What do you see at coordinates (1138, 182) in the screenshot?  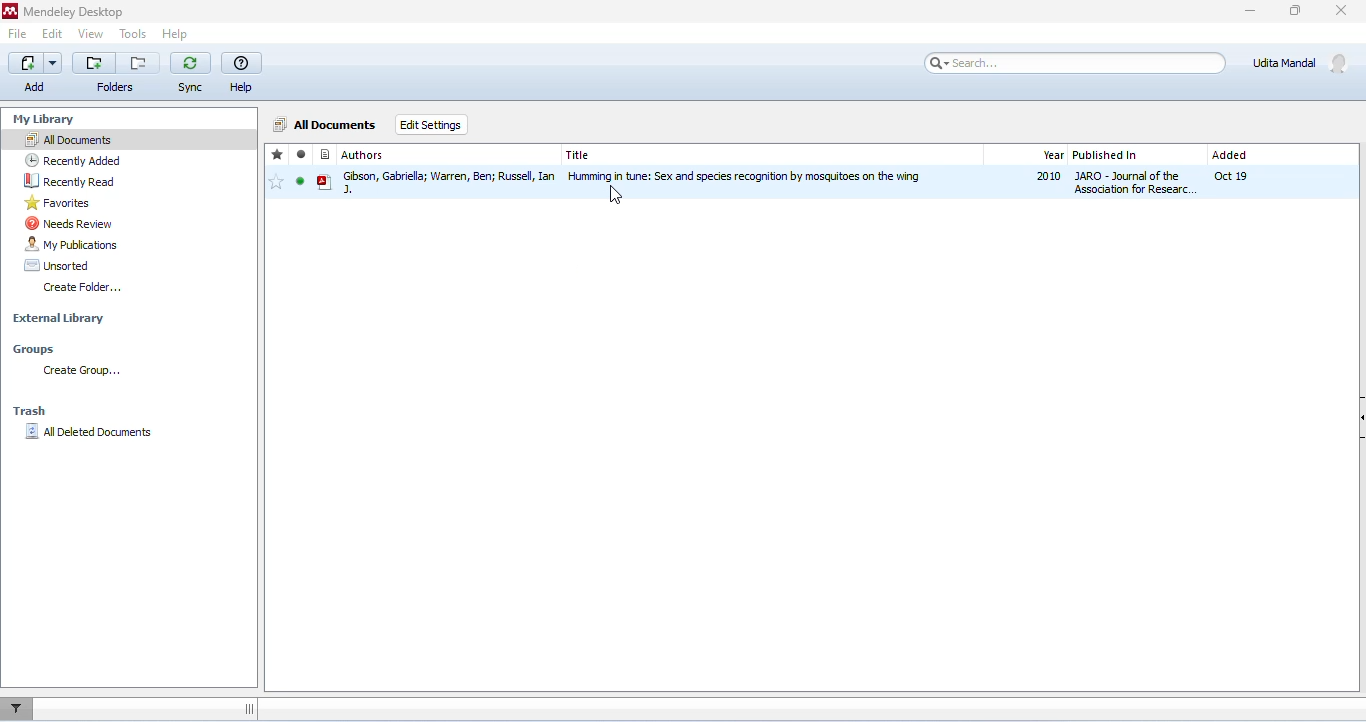 I see `JARO - Journal of the Association for Research in Otolaryngology` at bounding box center [1138, 182].